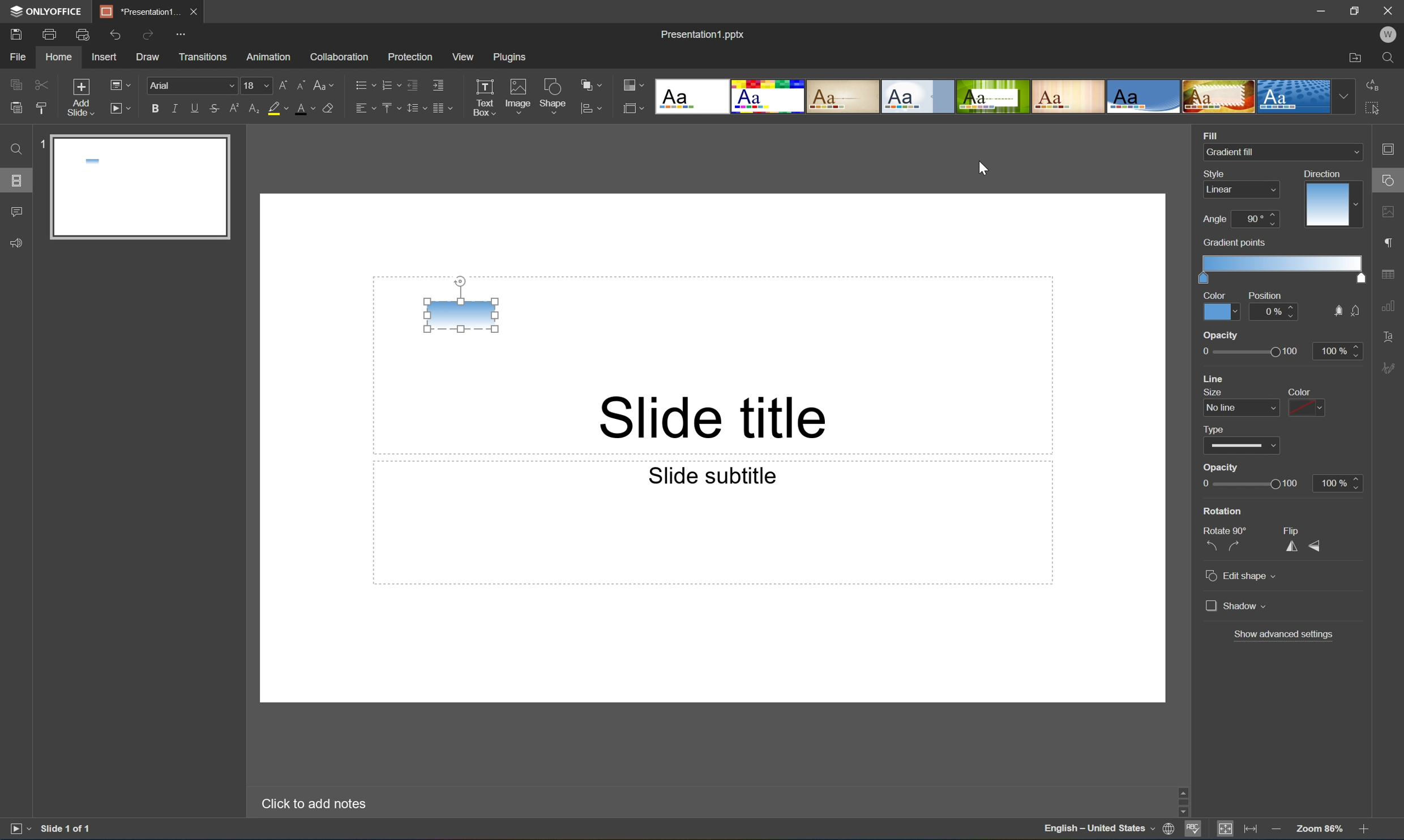  I want to click on fill, so click(1336, 311).